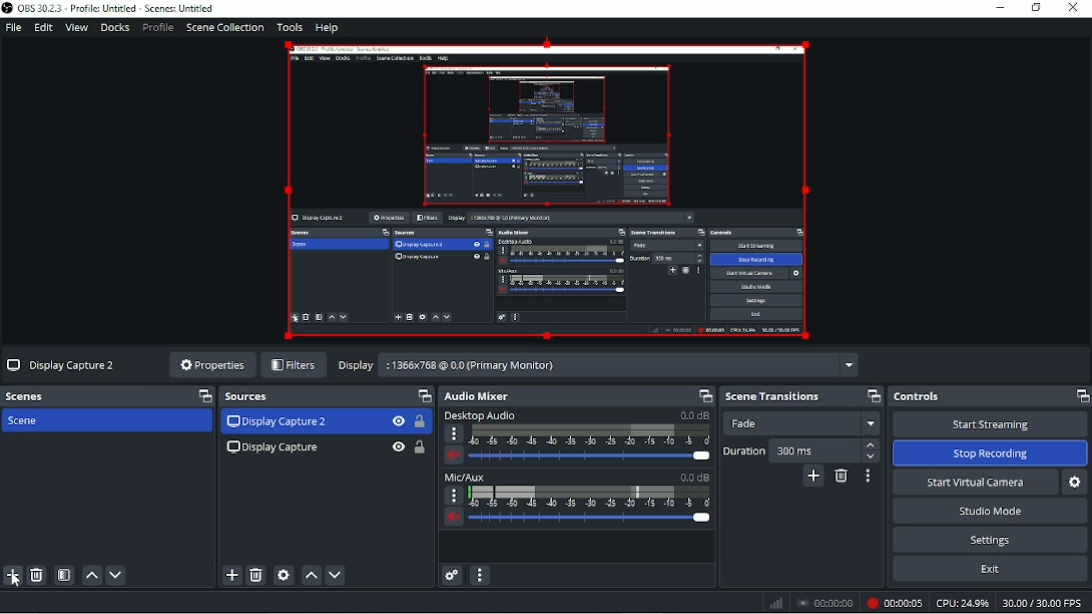 This screenshot has width=1092, height=614. Describe the element at coordinates (210, 364) in the screenshot. I see `Properties` at that location.